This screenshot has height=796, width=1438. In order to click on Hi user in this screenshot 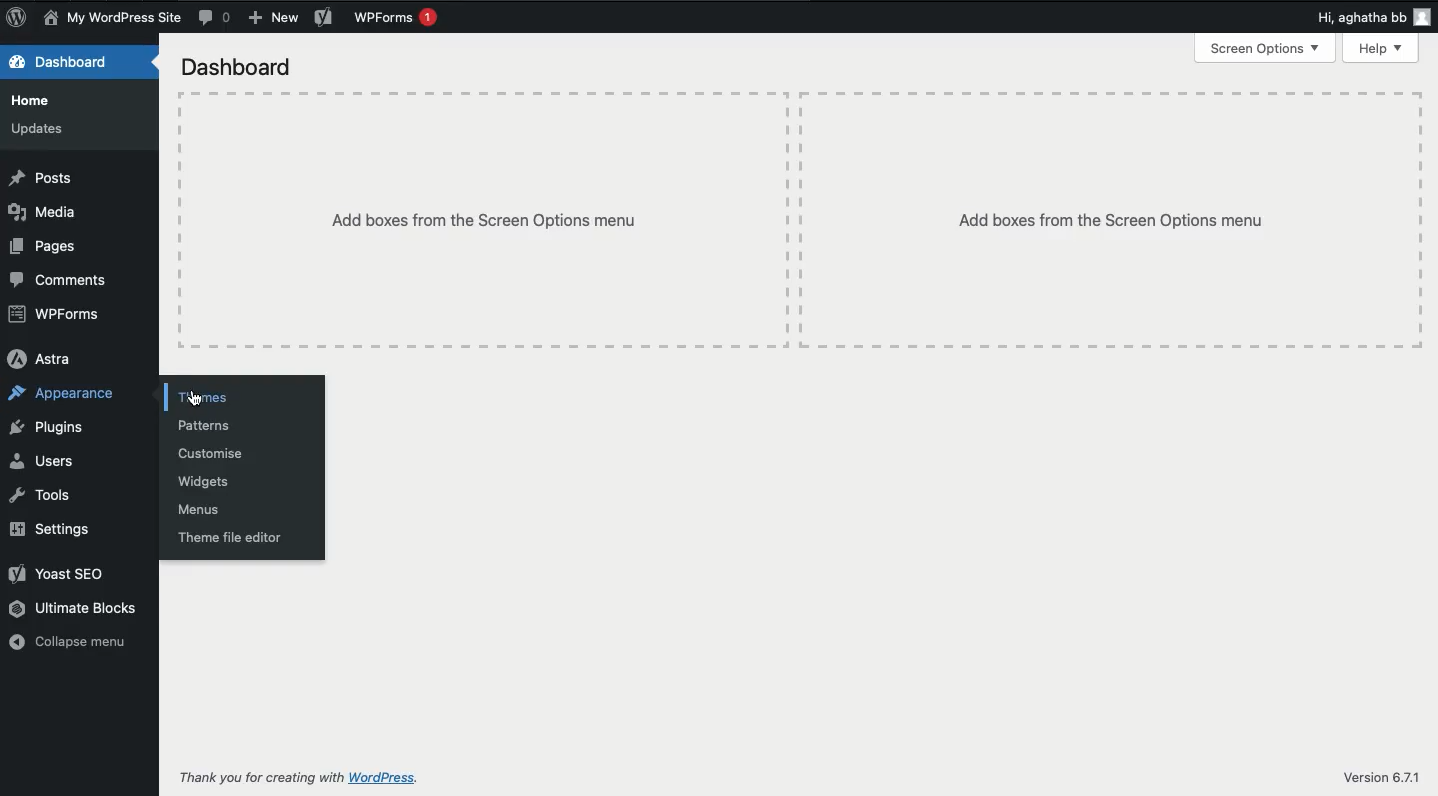, I will do `click(1371, 18)`.